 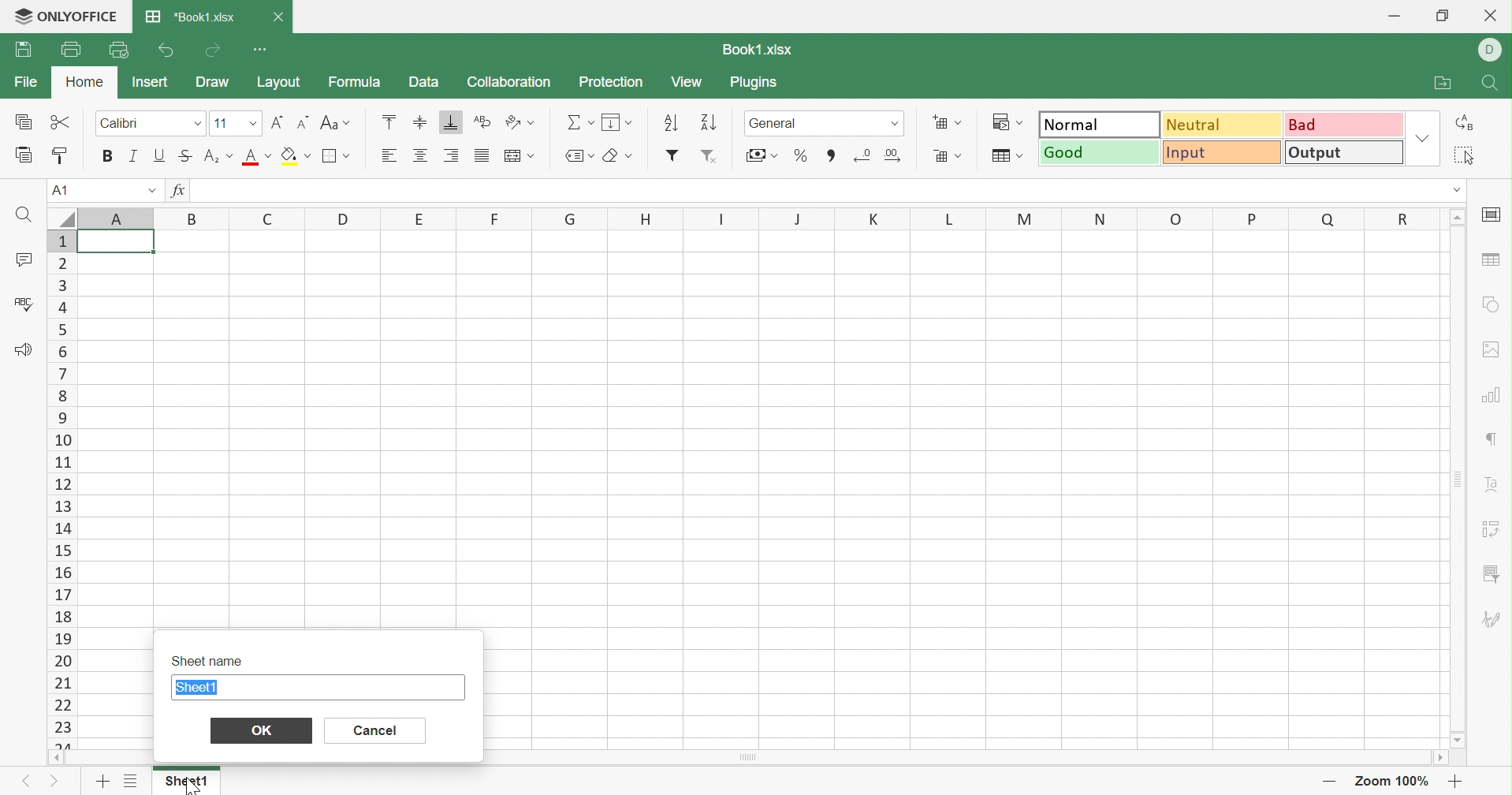 I want to click on Bad, so click(x=1344, y=124).